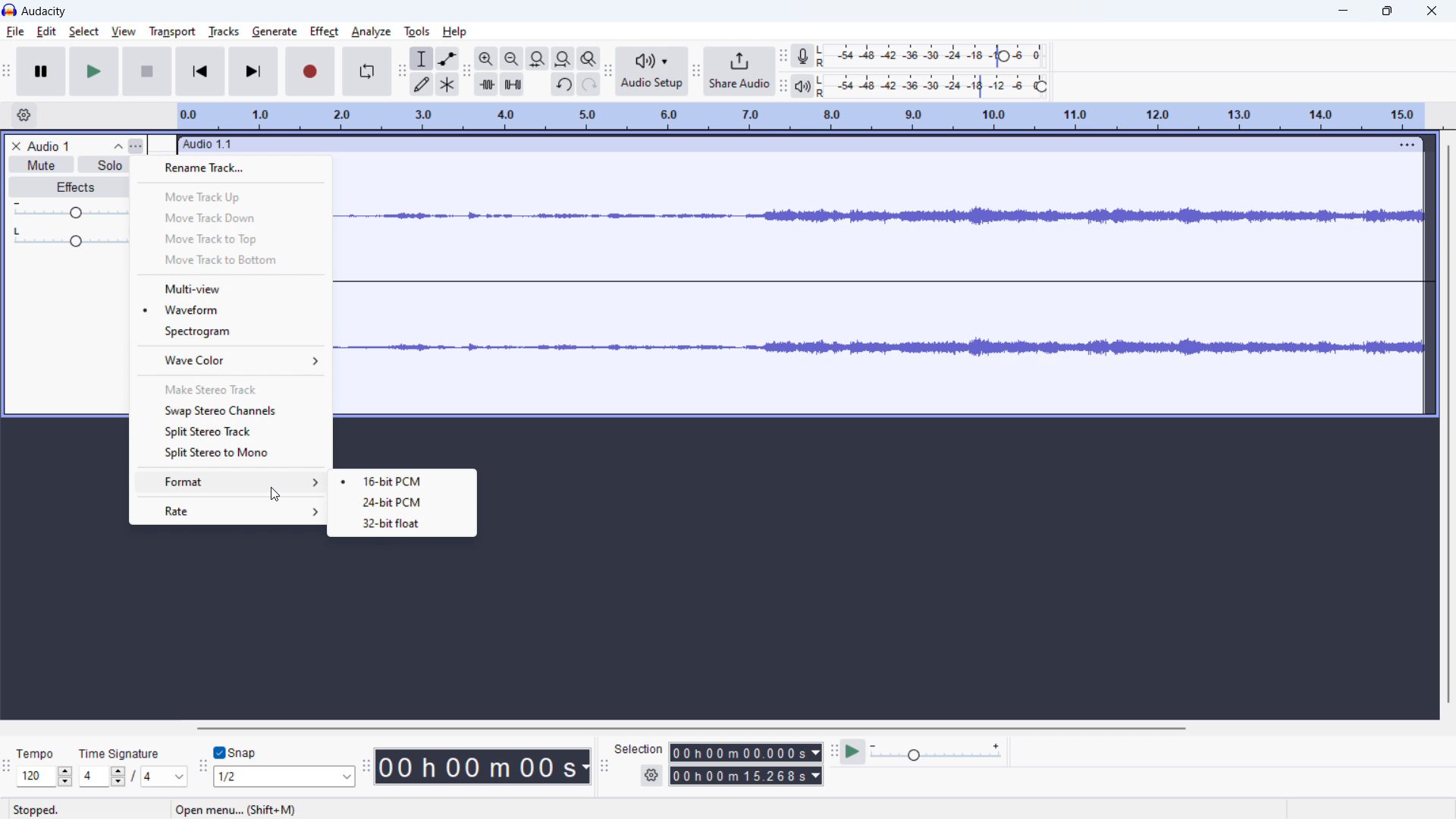  Describe the element at coordinates (72, 209) in the screenshot. I see `volume` at that location.